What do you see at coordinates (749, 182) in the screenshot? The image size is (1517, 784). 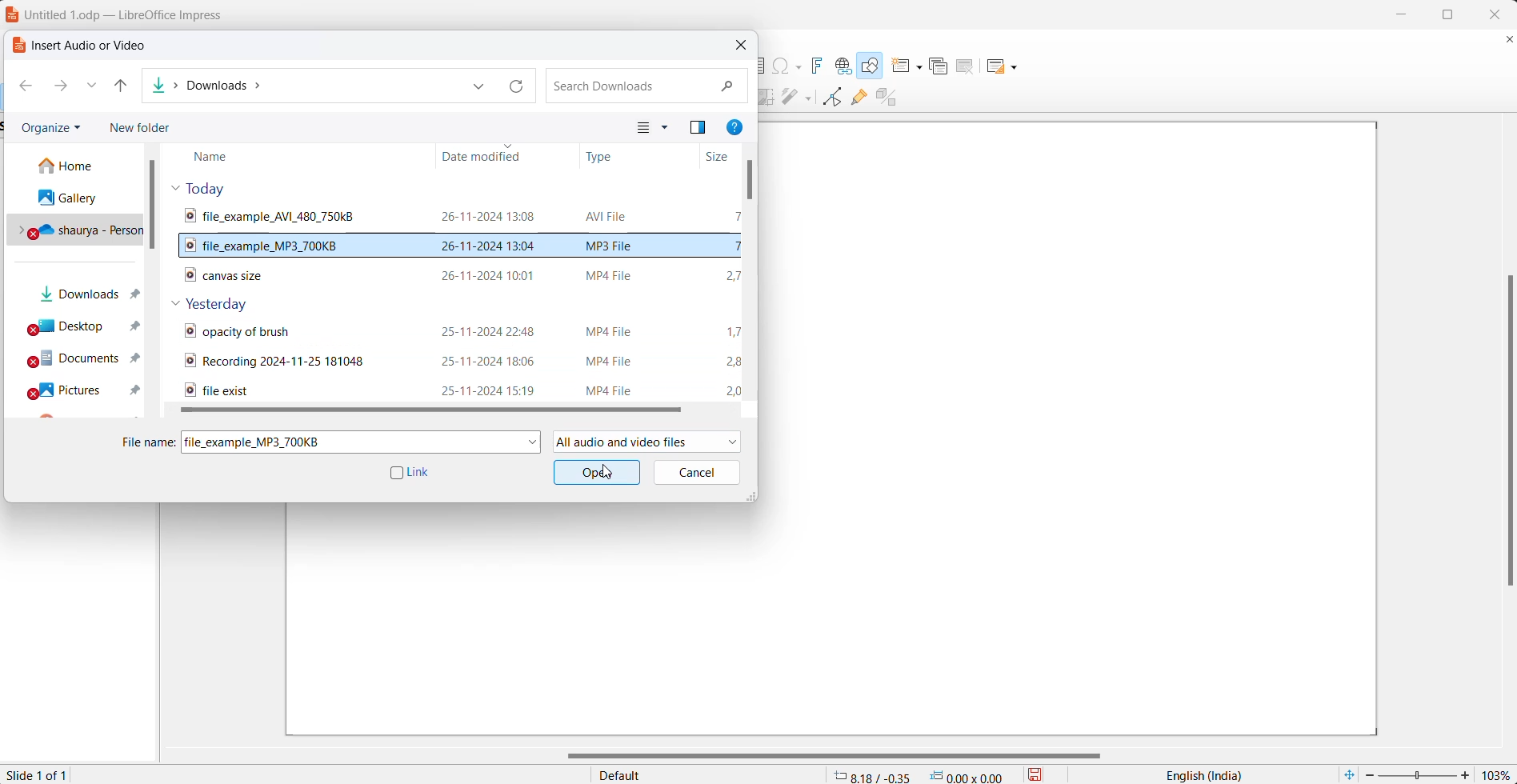 I see `scroll bar` at bounding box center [749, 182].